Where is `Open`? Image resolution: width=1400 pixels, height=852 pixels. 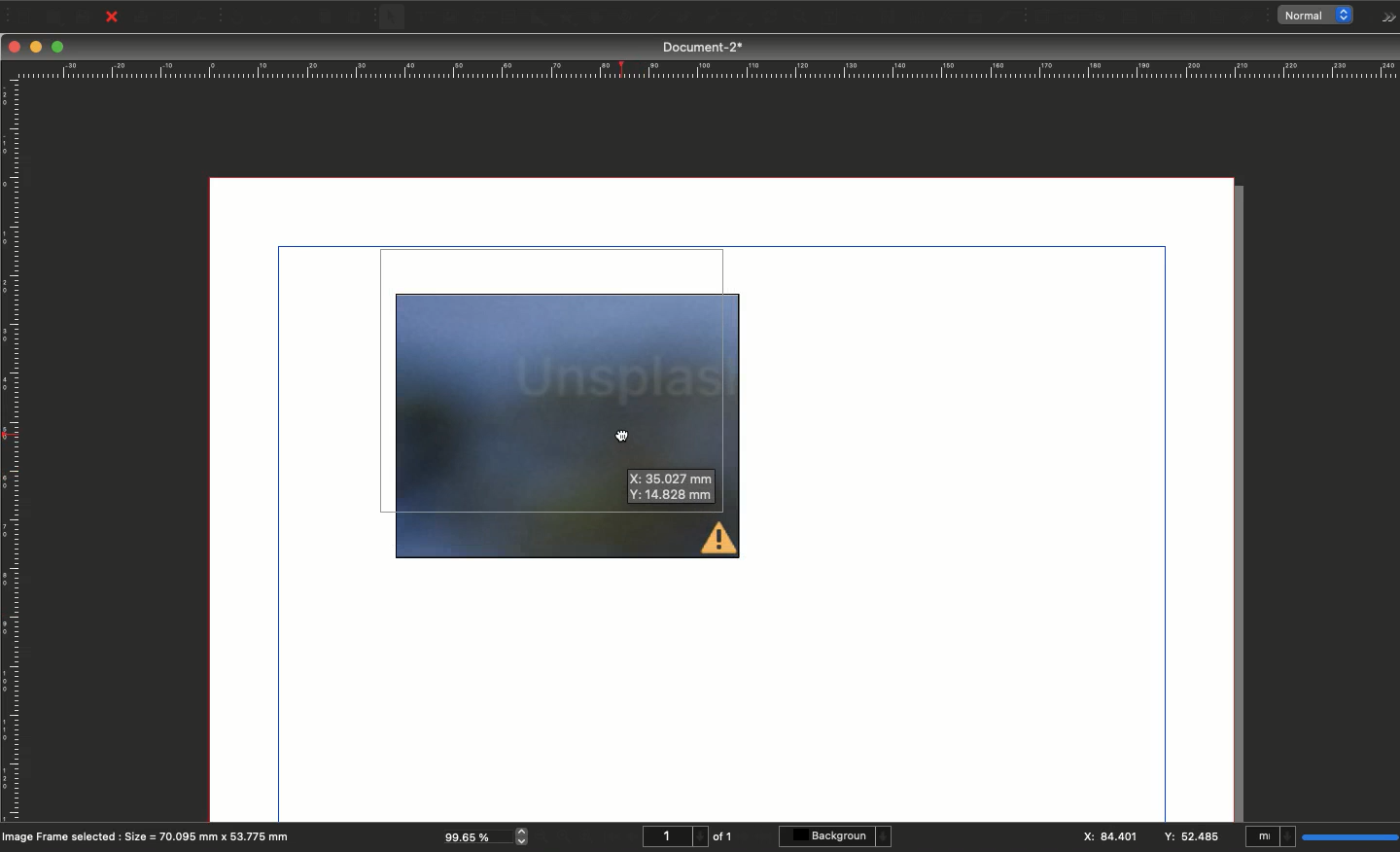 Open is located at coordinates (52, 18).